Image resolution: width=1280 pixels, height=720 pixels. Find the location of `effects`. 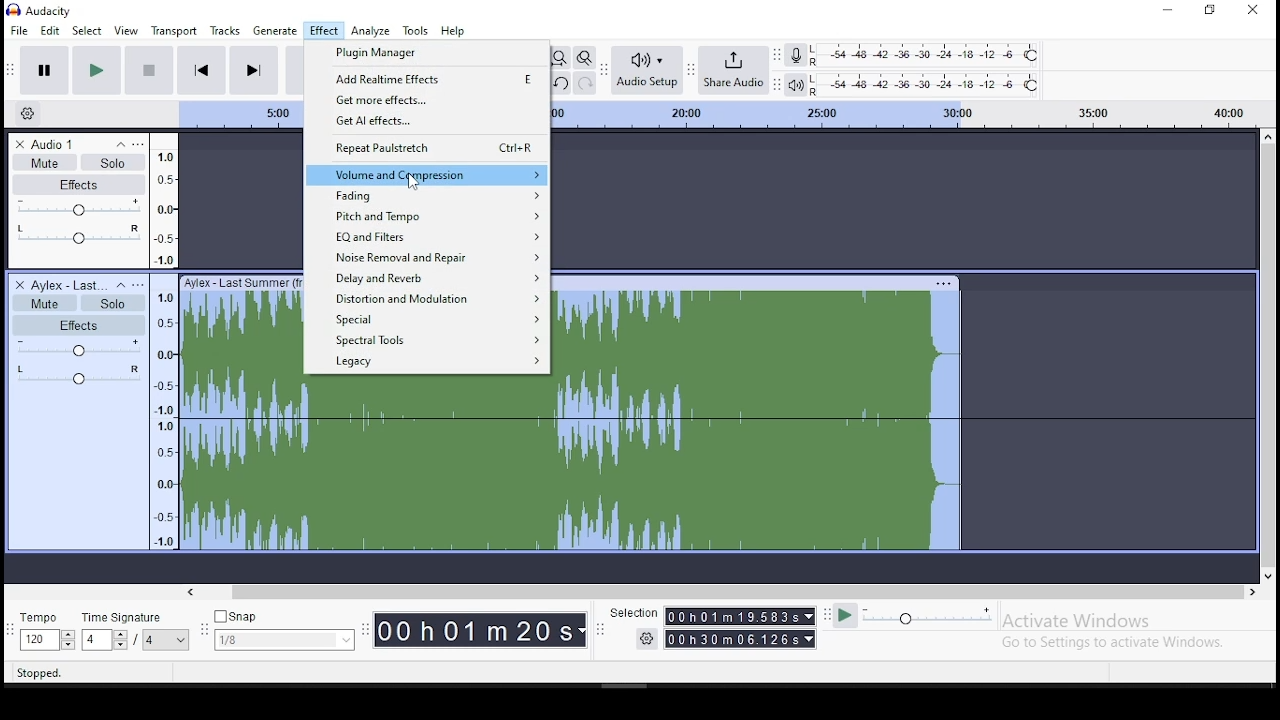

effects is located at coordinates (79, 325).